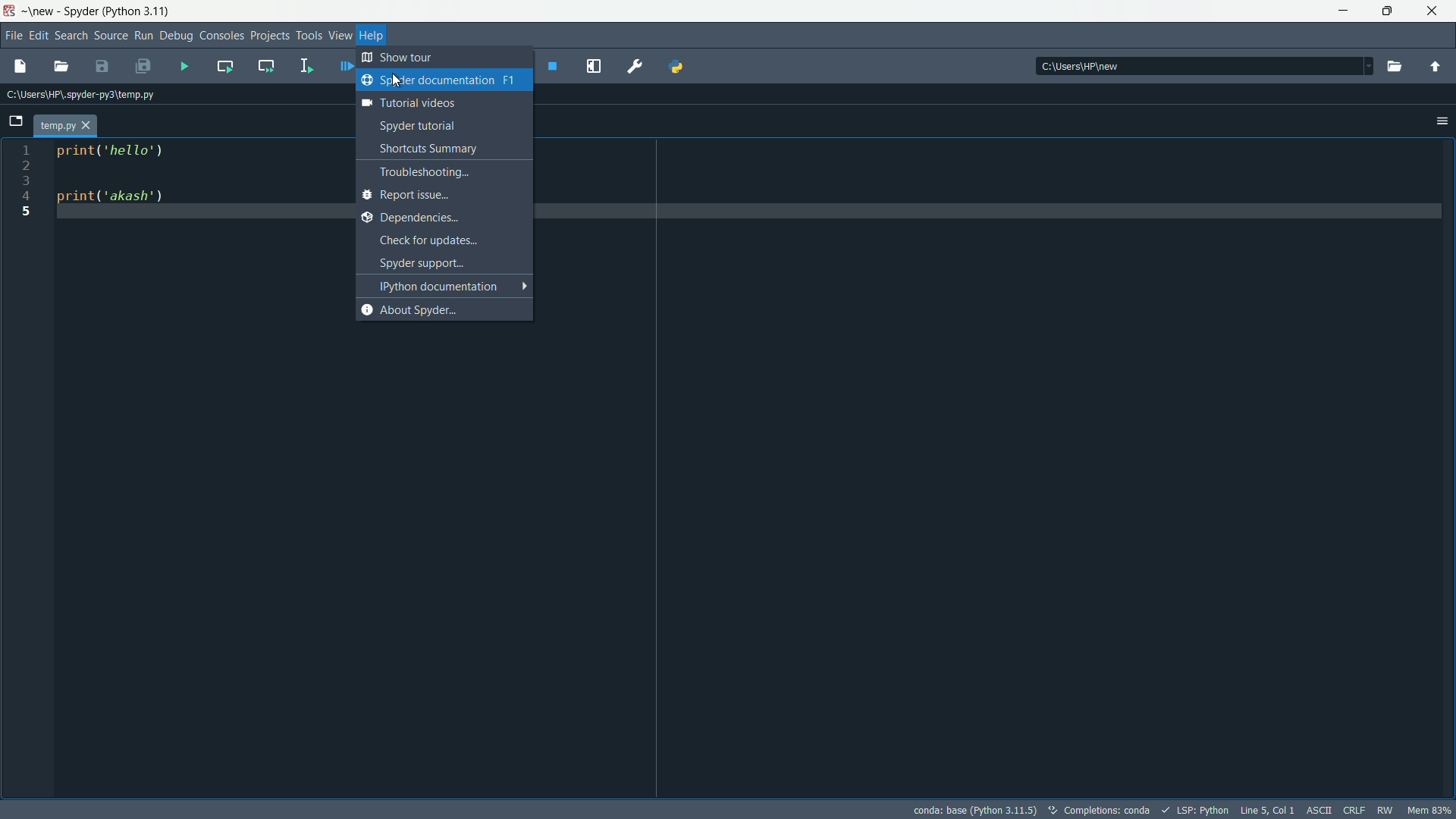 Image resolution: width=1456 pixels, height=819 pixels. Describe the element at coordinates (176, 36) in the screenshot. I see `debug menu` at that location.